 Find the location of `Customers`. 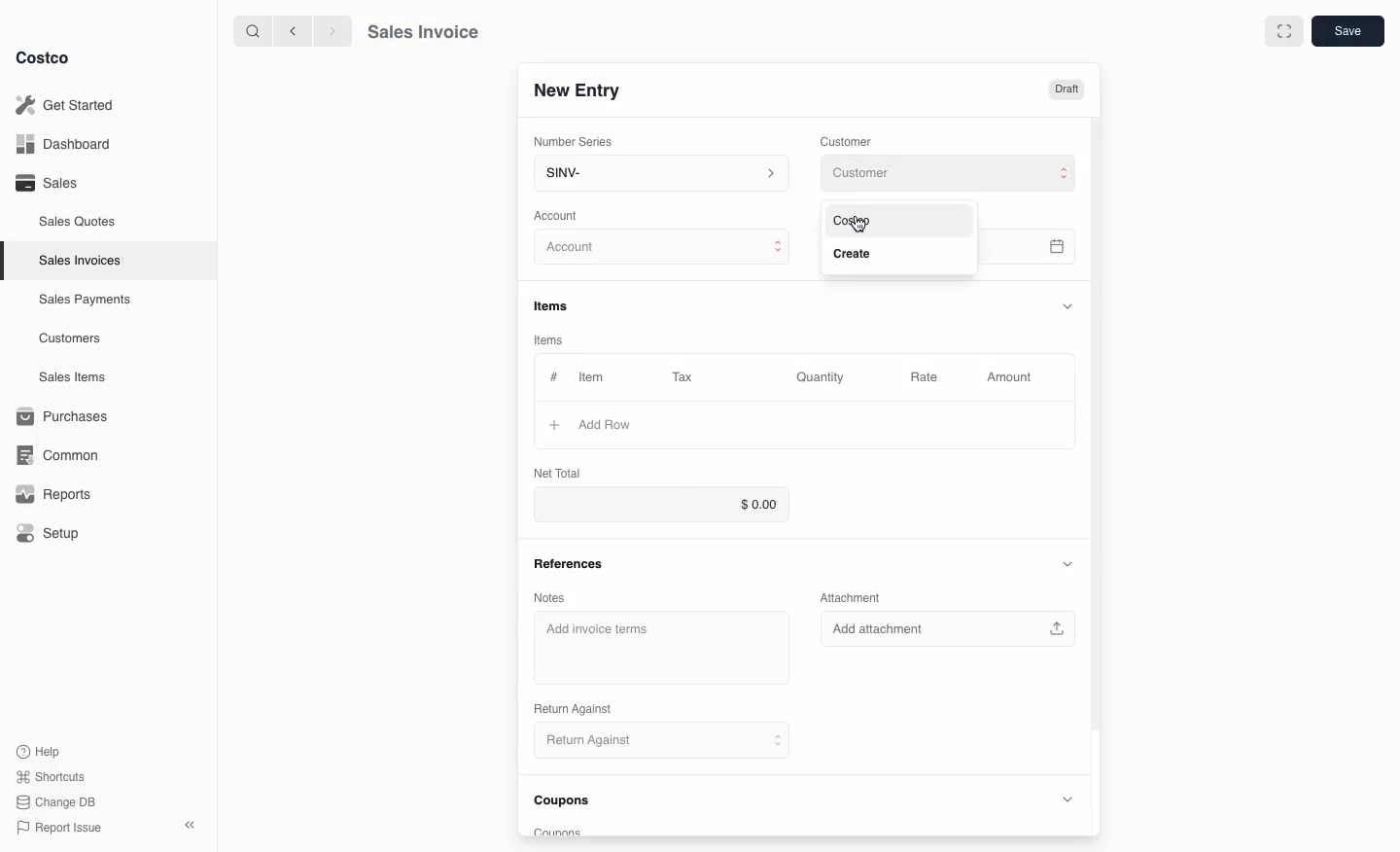

Customers is located at coordinates (73, 338).